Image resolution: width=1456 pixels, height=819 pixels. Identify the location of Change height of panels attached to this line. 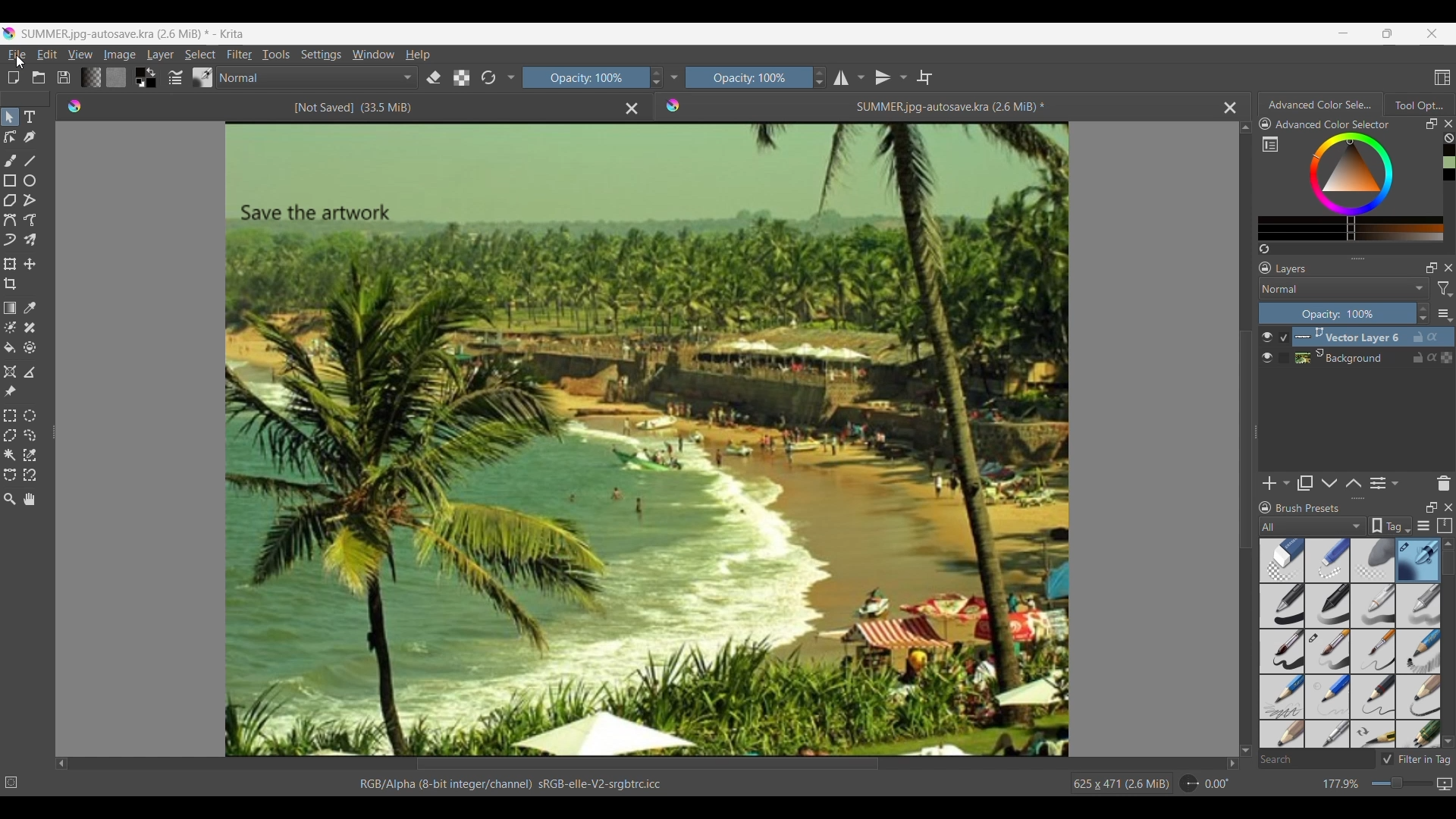
(1338, 258).